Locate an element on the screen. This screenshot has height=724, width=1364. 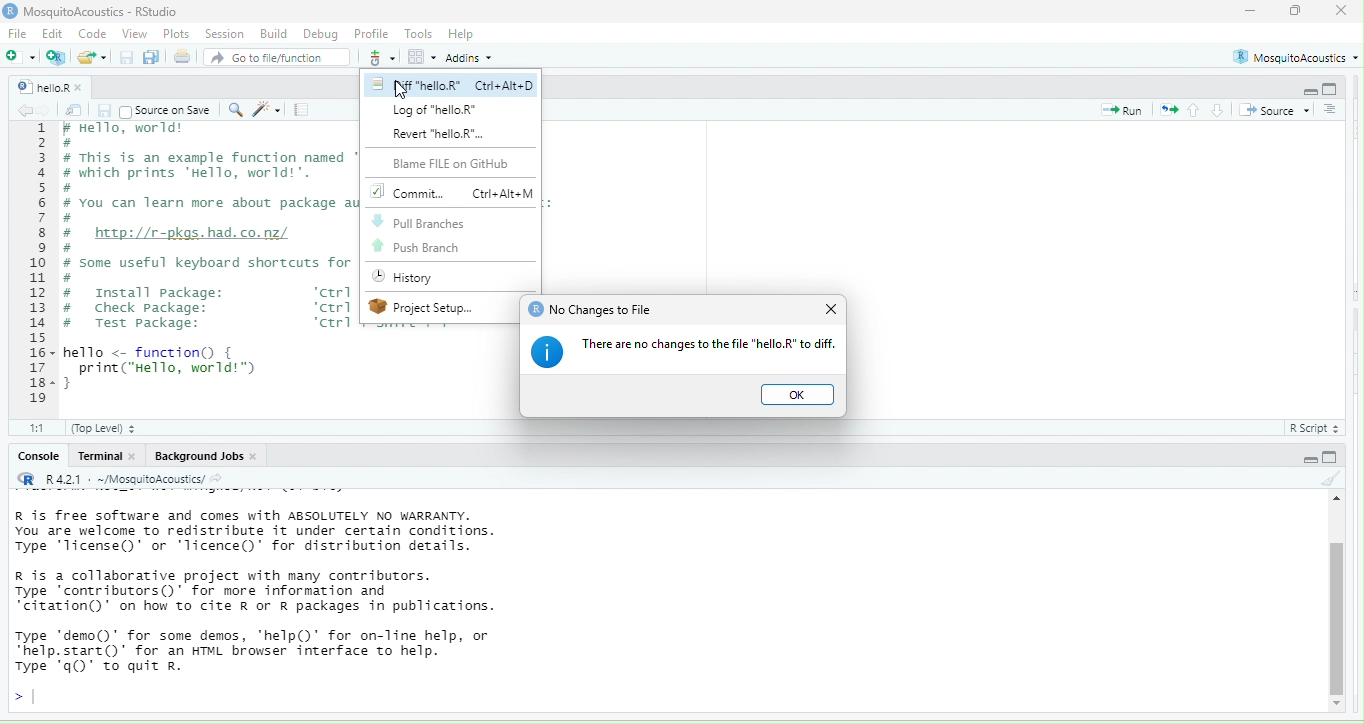
R Script  is located at coordinates (1318, 427).